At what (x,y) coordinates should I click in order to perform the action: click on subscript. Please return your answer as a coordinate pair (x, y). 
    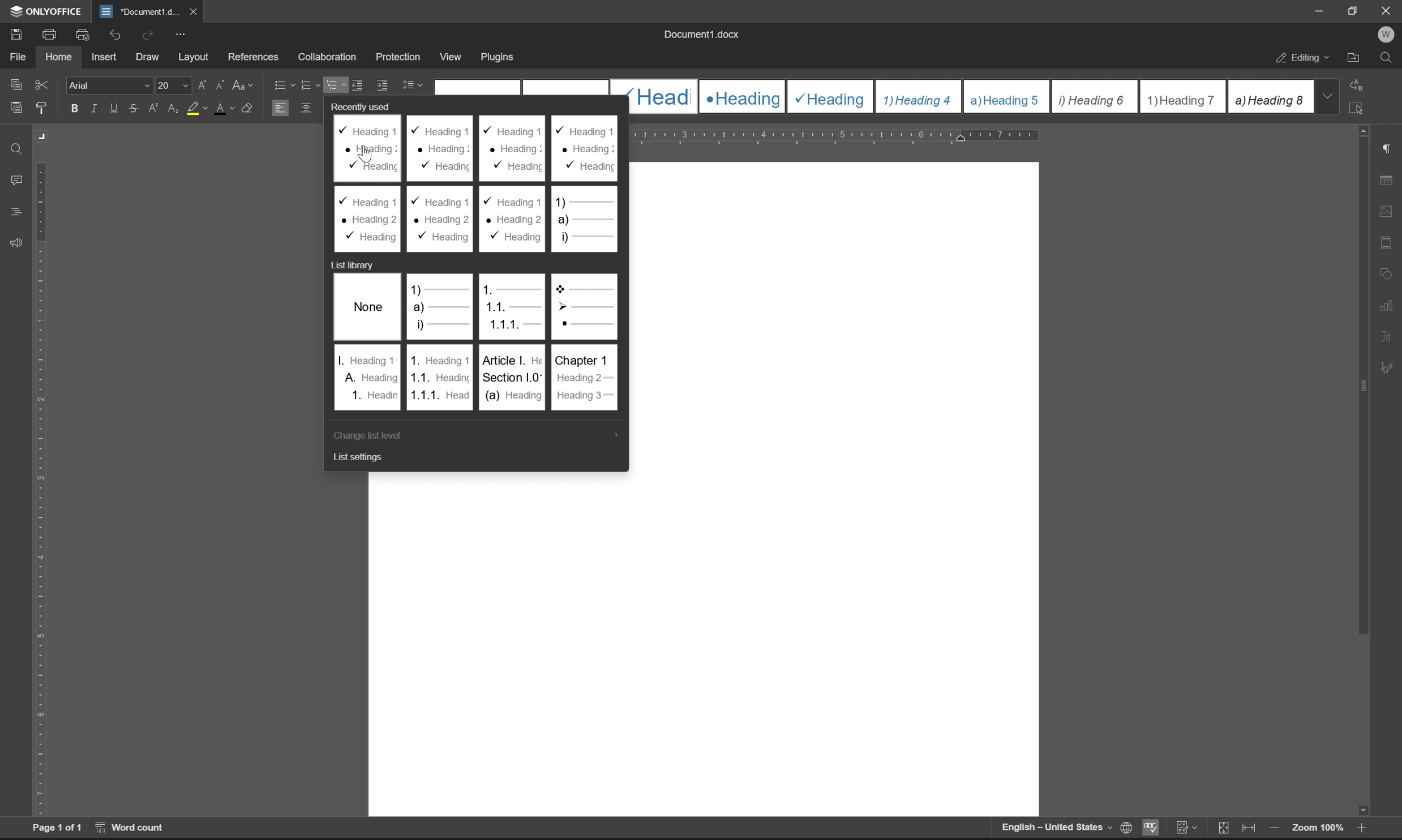
    Looking at the image, I should click on (174, 106).